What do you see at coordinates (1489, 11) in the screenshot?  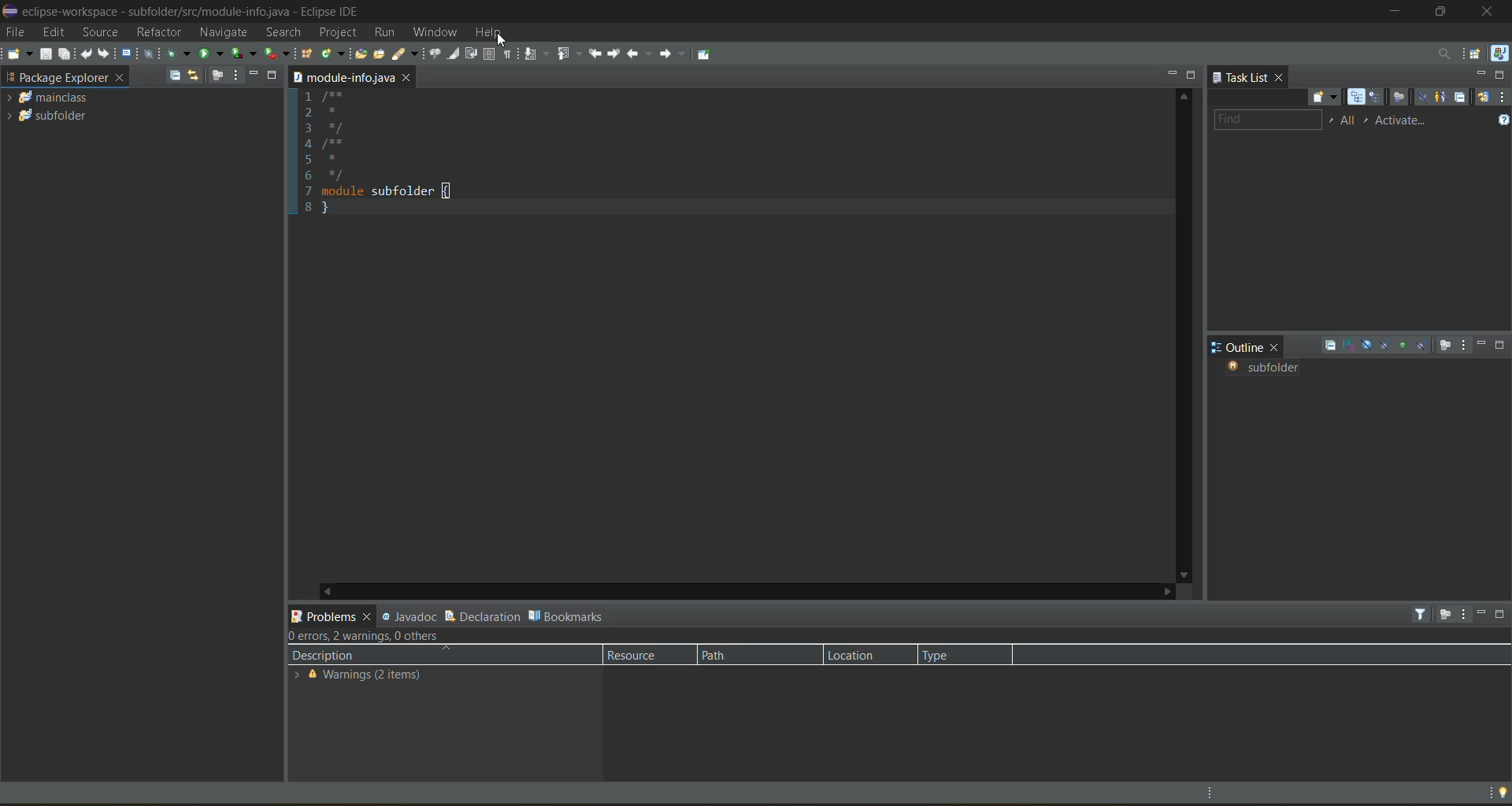 I see `close` at bounding box center [1489, 11].